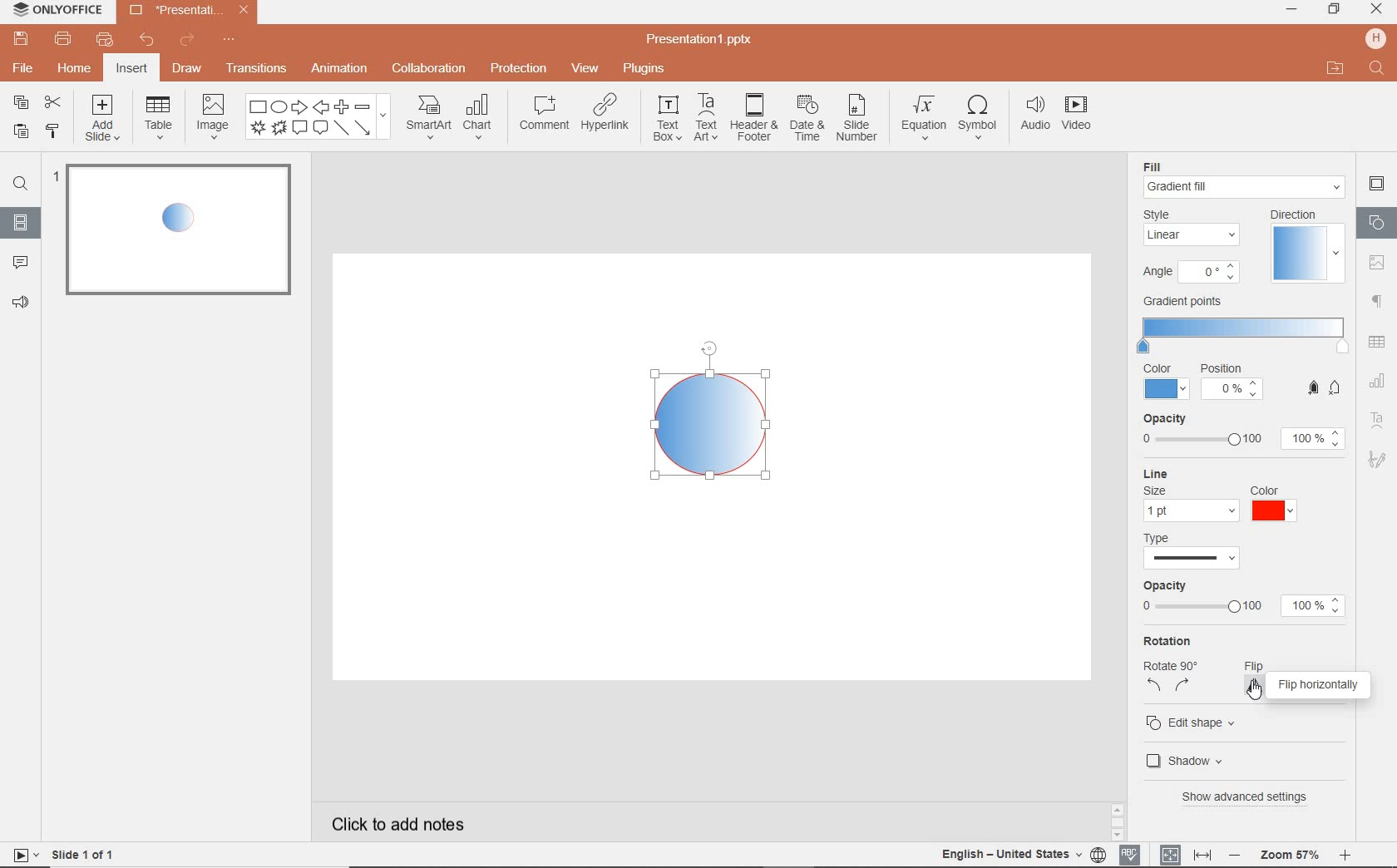 Image resolution: width=1397 pixels, height=868 pixels. I want to click on hyperlink, so click(607, 116).